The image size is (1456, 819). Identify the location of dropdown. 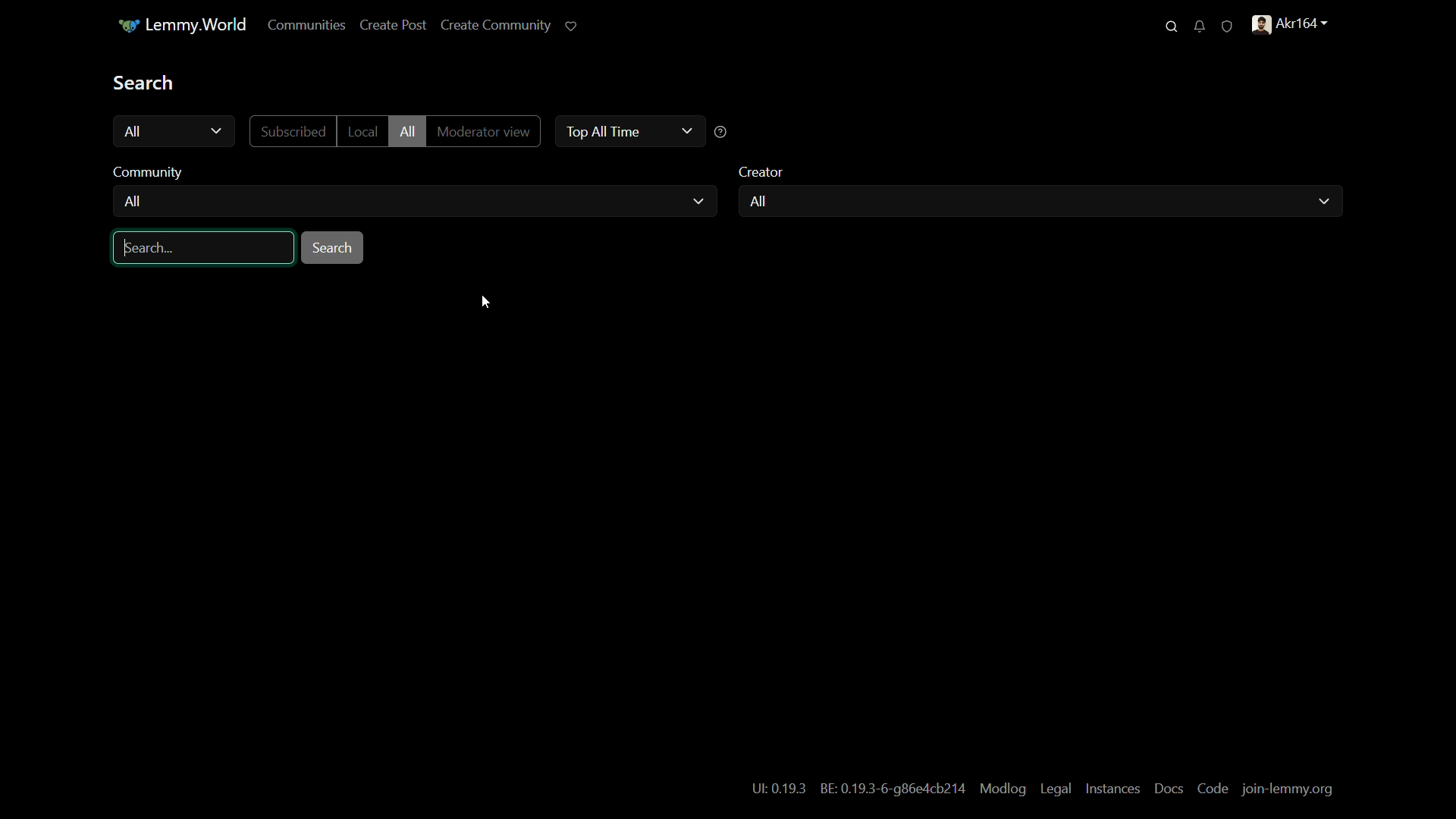
(1323, 202).